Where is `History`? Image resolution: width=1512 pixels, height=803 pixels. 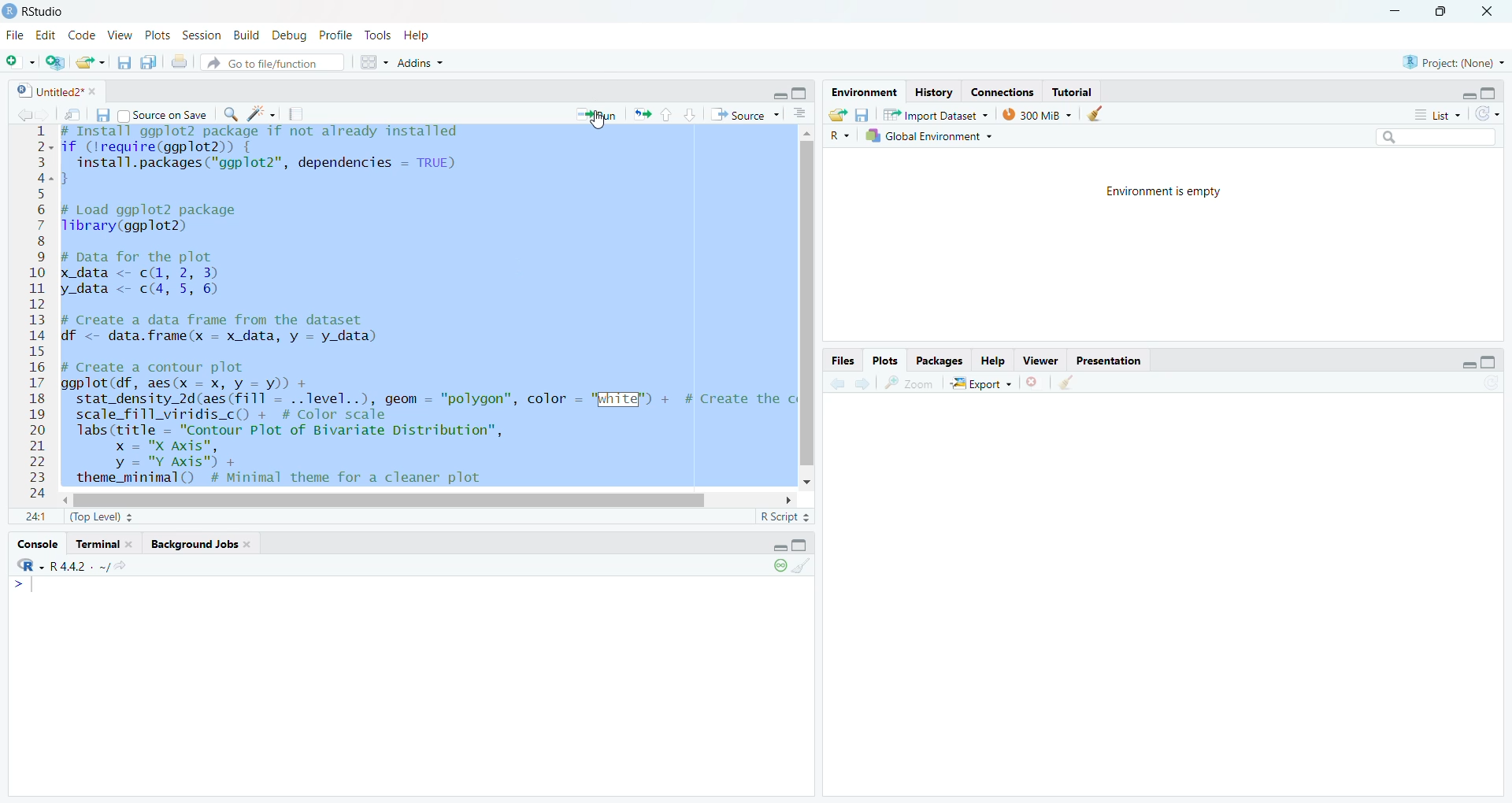
History is located at coordinates (934, 91).